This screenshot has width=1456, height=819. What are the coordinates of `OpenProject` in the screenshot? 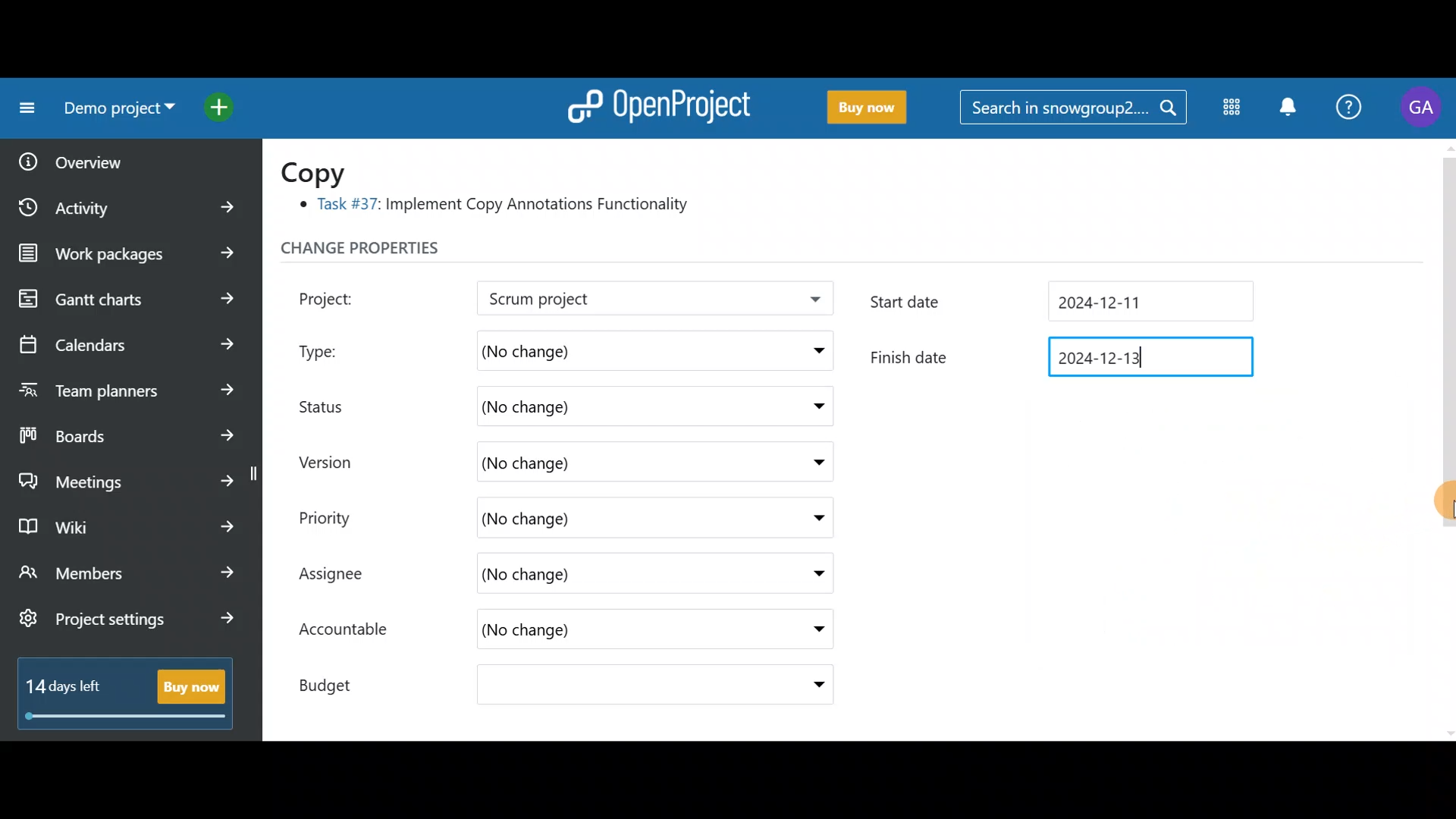 It's located at (656, 103).